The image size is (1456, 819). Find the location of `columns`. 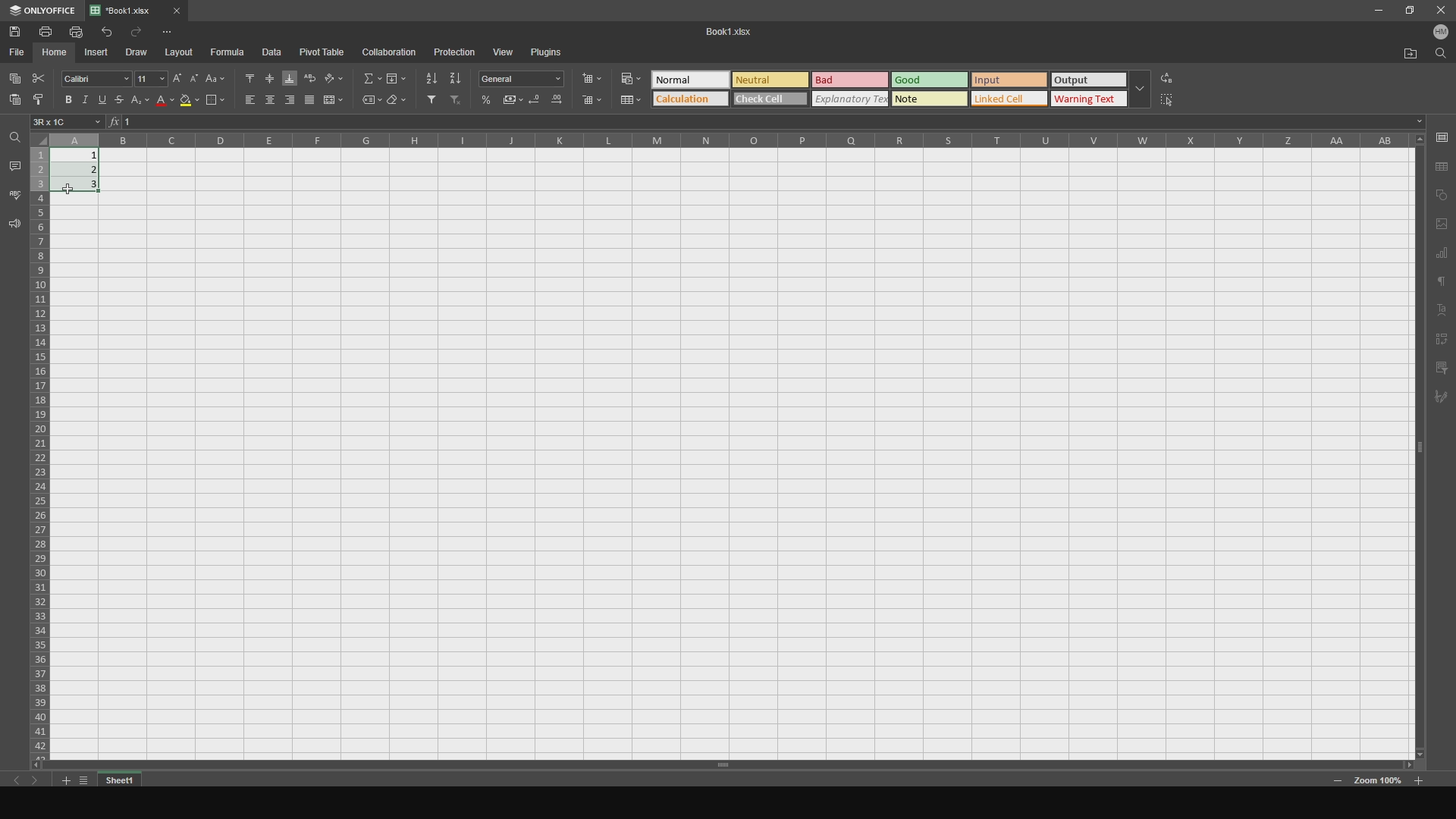

columns is located at coordinates (733, 140).